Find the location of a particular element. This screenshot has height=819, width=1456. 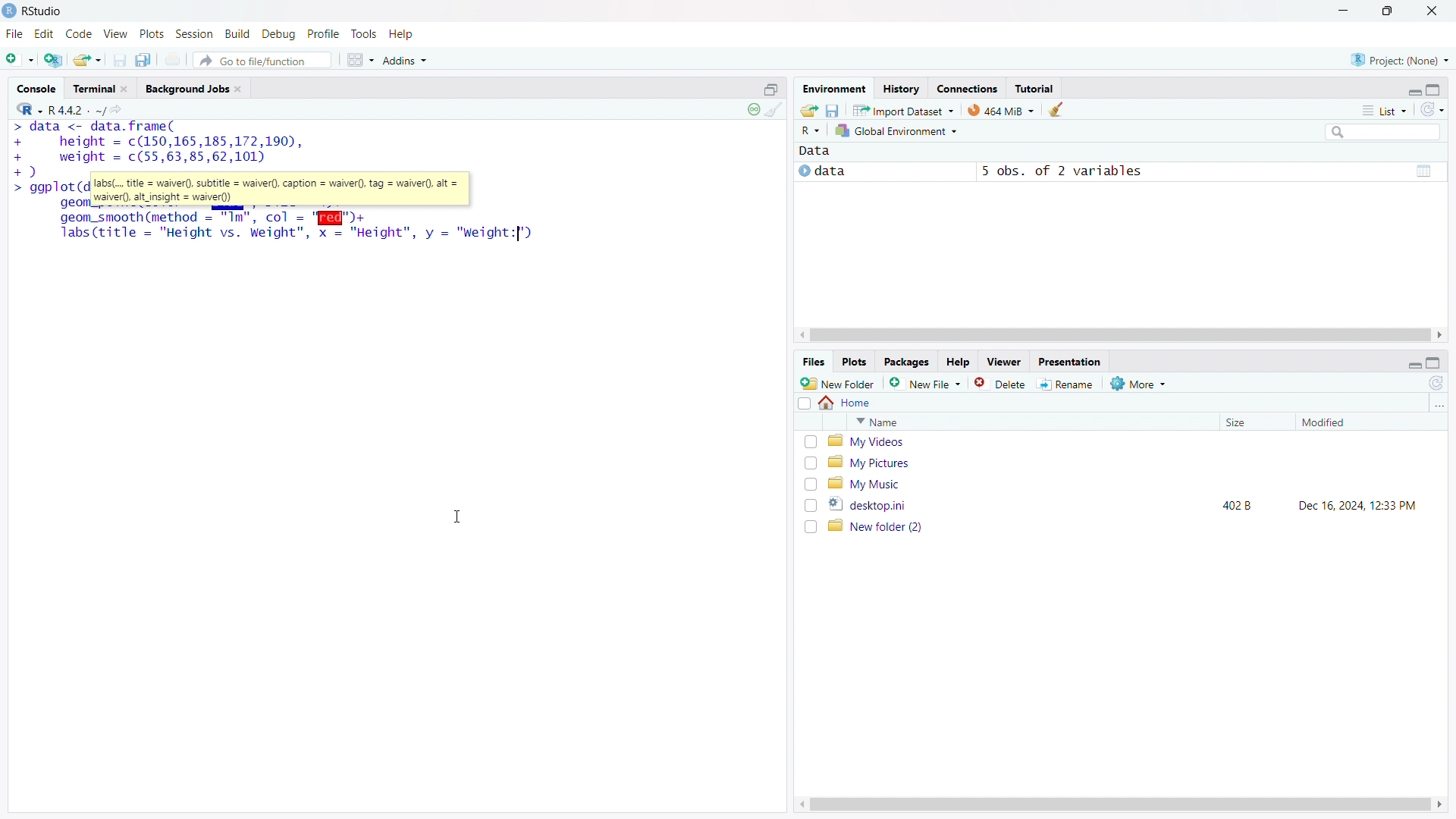

help is located at coordinates (402, 34).